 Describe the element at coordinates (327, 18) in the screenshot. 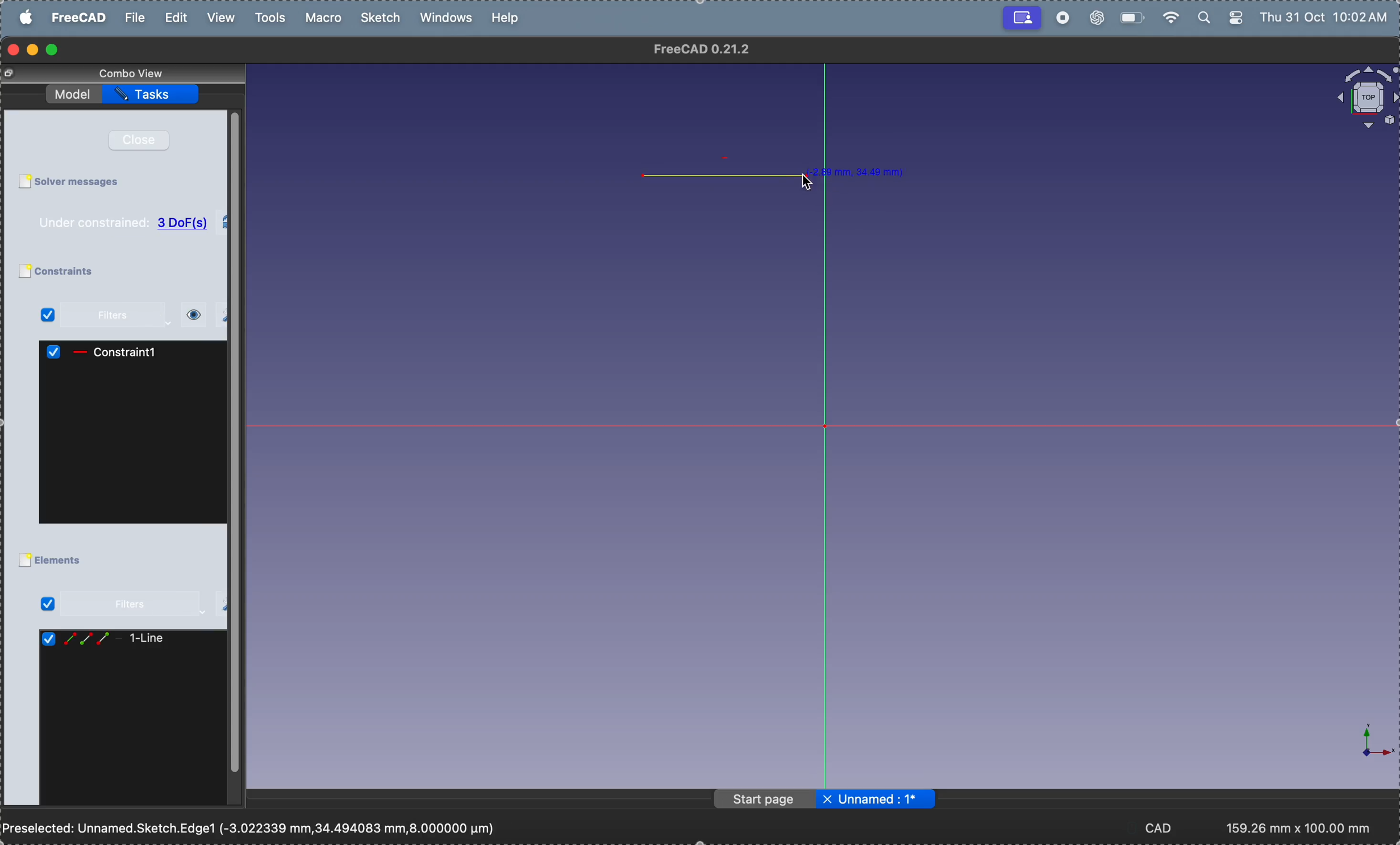

I see `marco` at that location.